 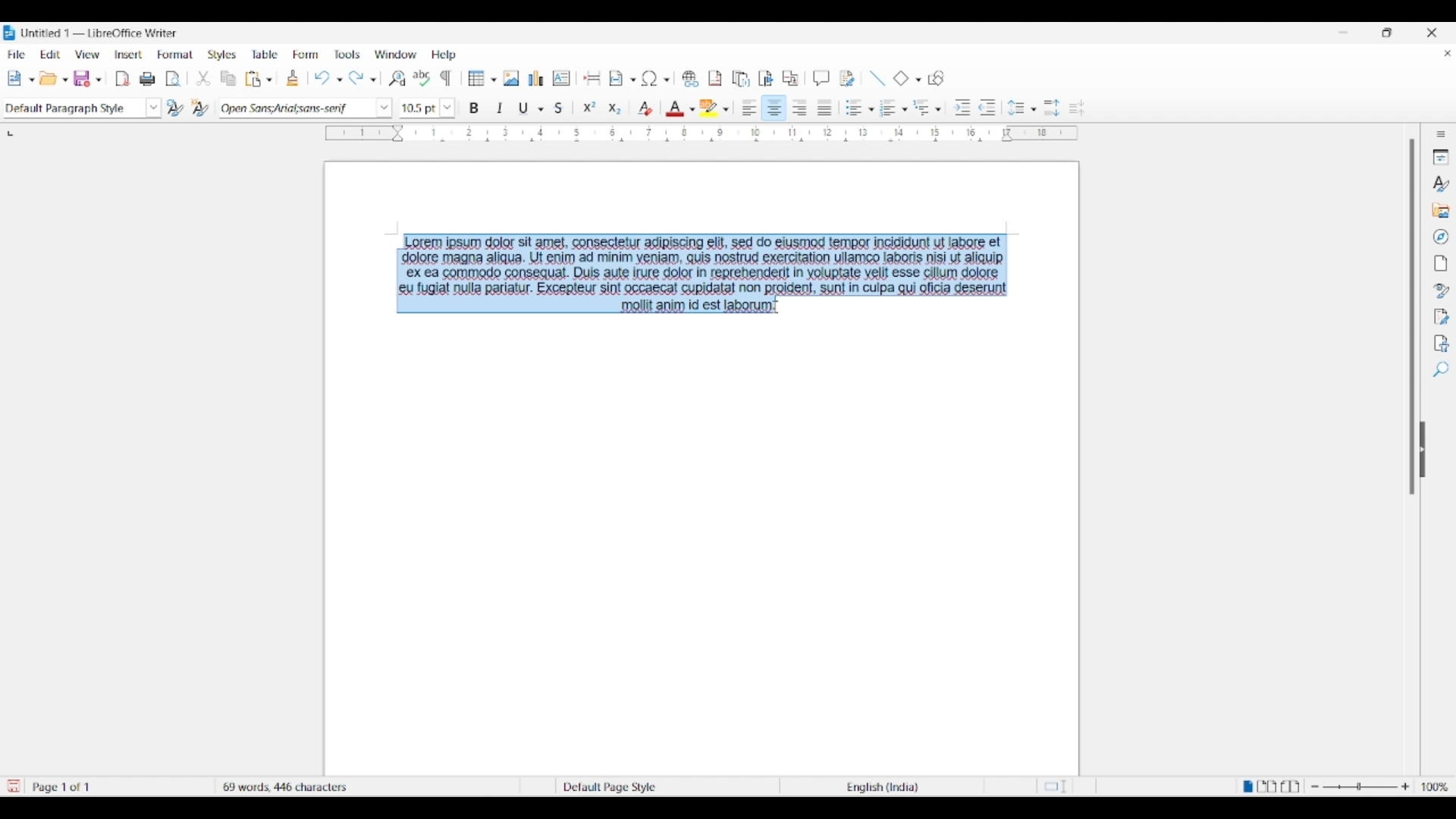 What do you see at coordinates (1290, 786) in the screenshot?
I see `Book view` at bounding box center [1290, 786].